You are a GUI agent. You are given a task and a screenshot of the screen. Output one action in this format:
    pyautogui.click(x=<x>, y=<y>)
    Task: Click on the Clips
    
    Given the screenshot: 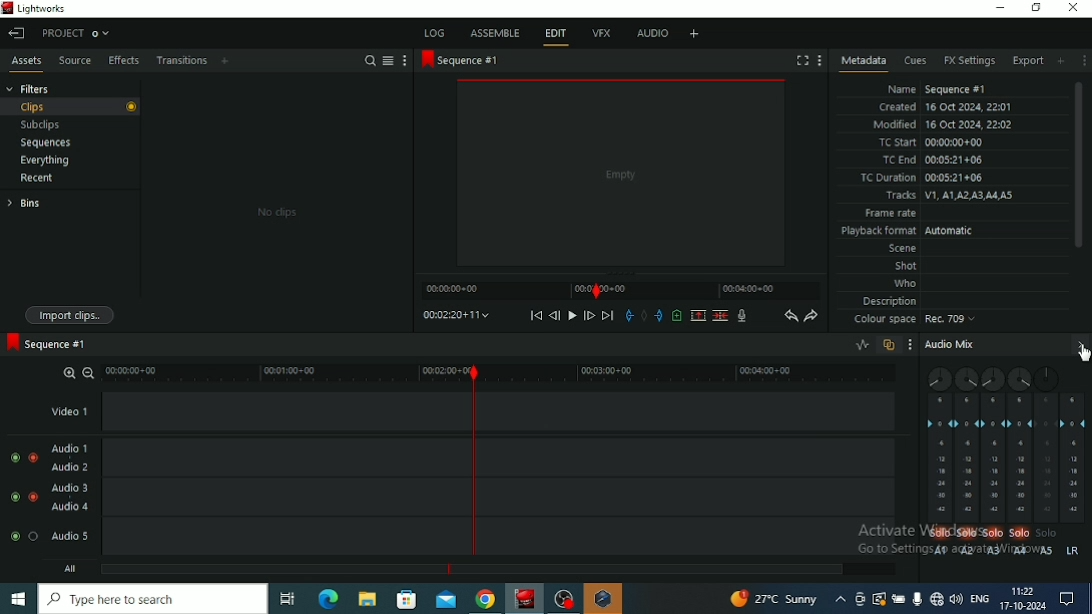 What is the action you would take?
    pyautogui.click(x=69, y=107)
    